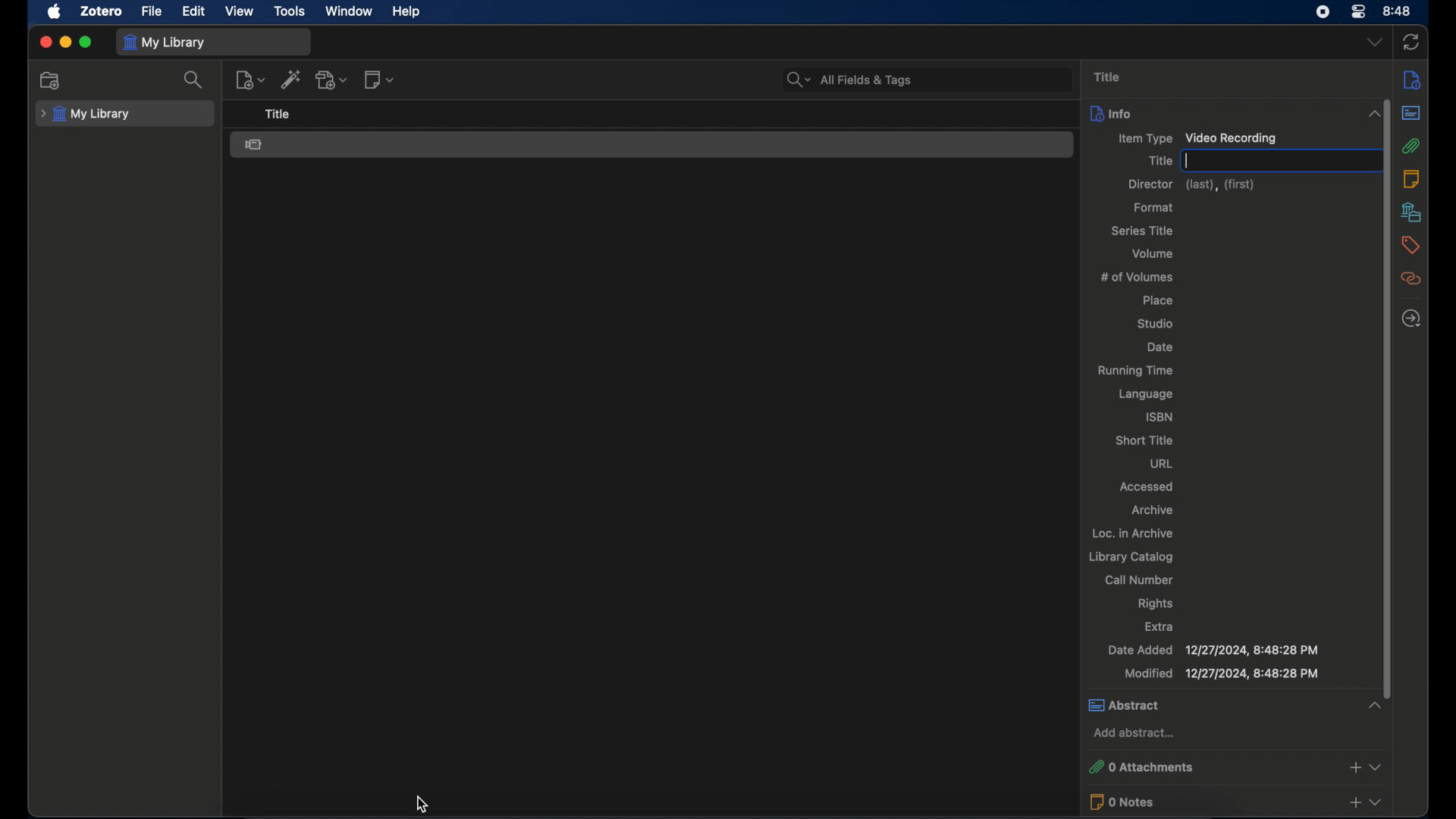 The image size is (1456, 819). Describe the element at coordinates (1134, 557) in the screenshot. I see `library catalog` at that location.